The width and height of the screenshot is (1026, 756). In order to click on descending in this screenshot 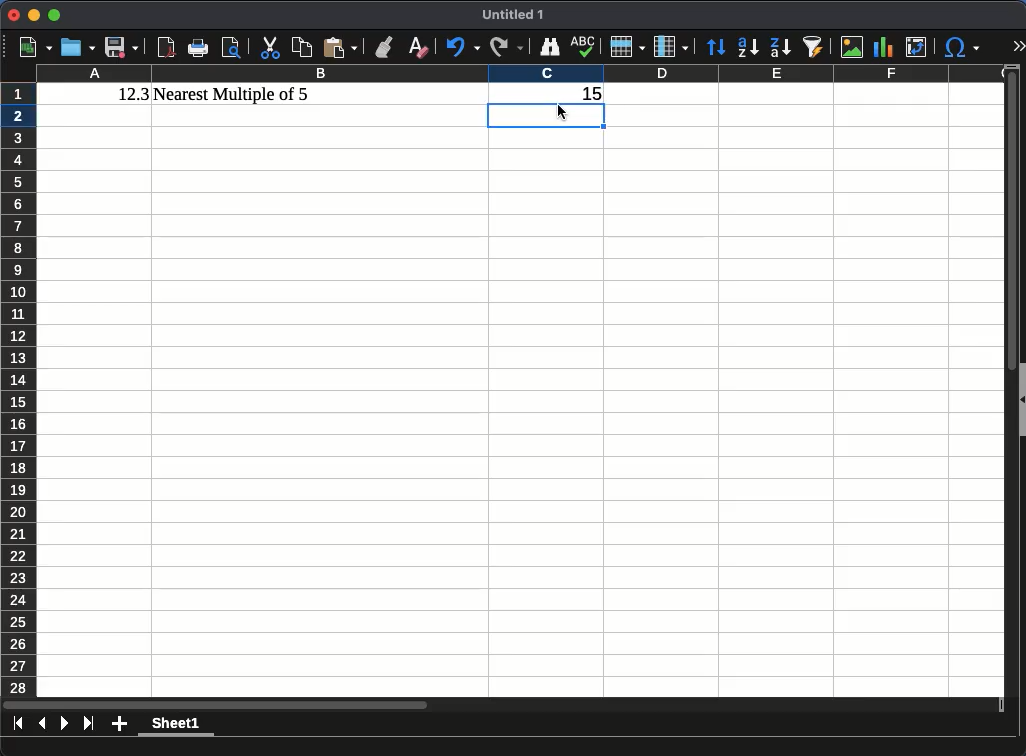, I will do `click(780, 48)`.